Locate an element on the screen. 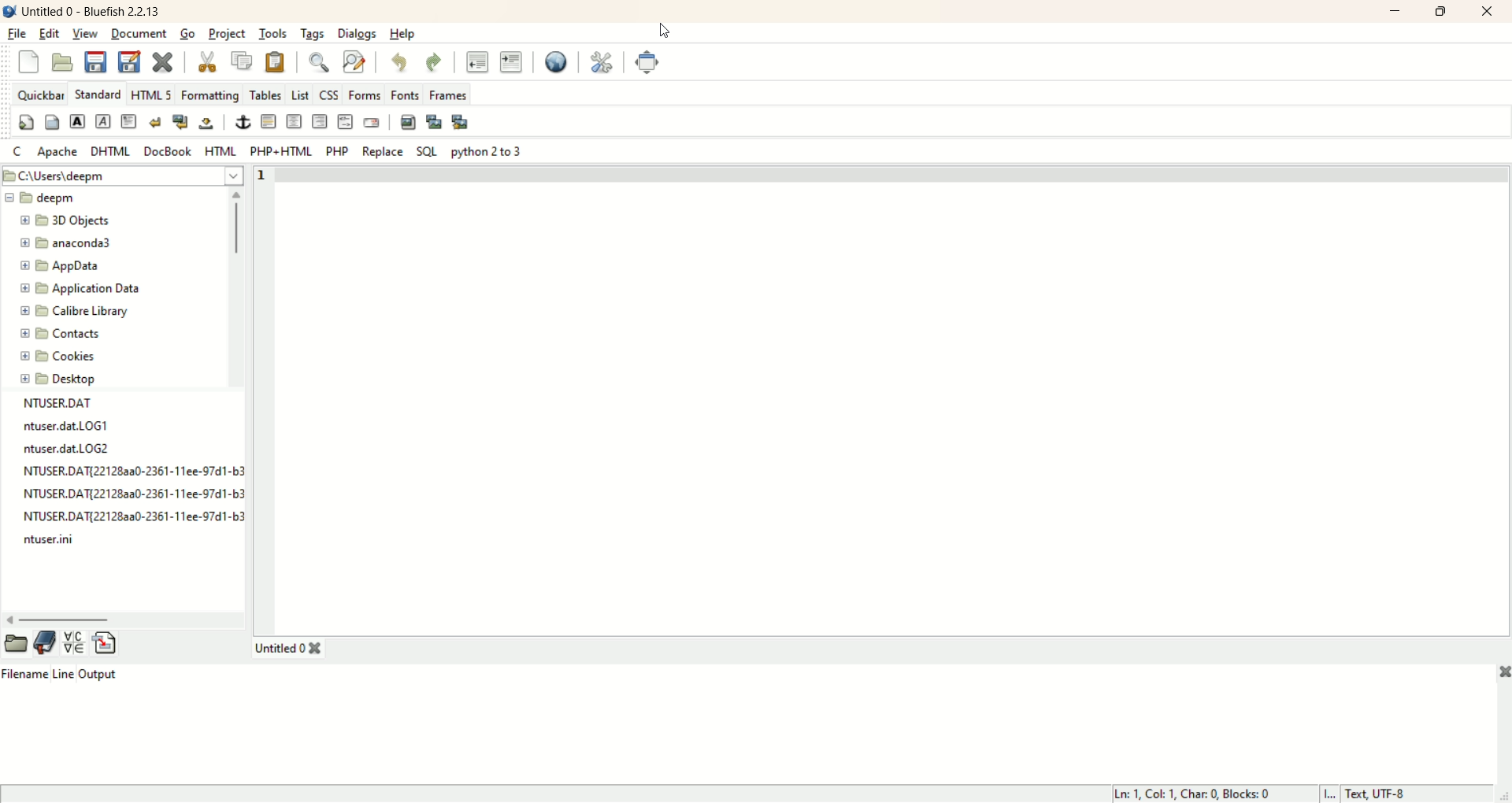 The height and width of the screenshot is (803, 1512). 3D objects is located at coordinates (69, 221).